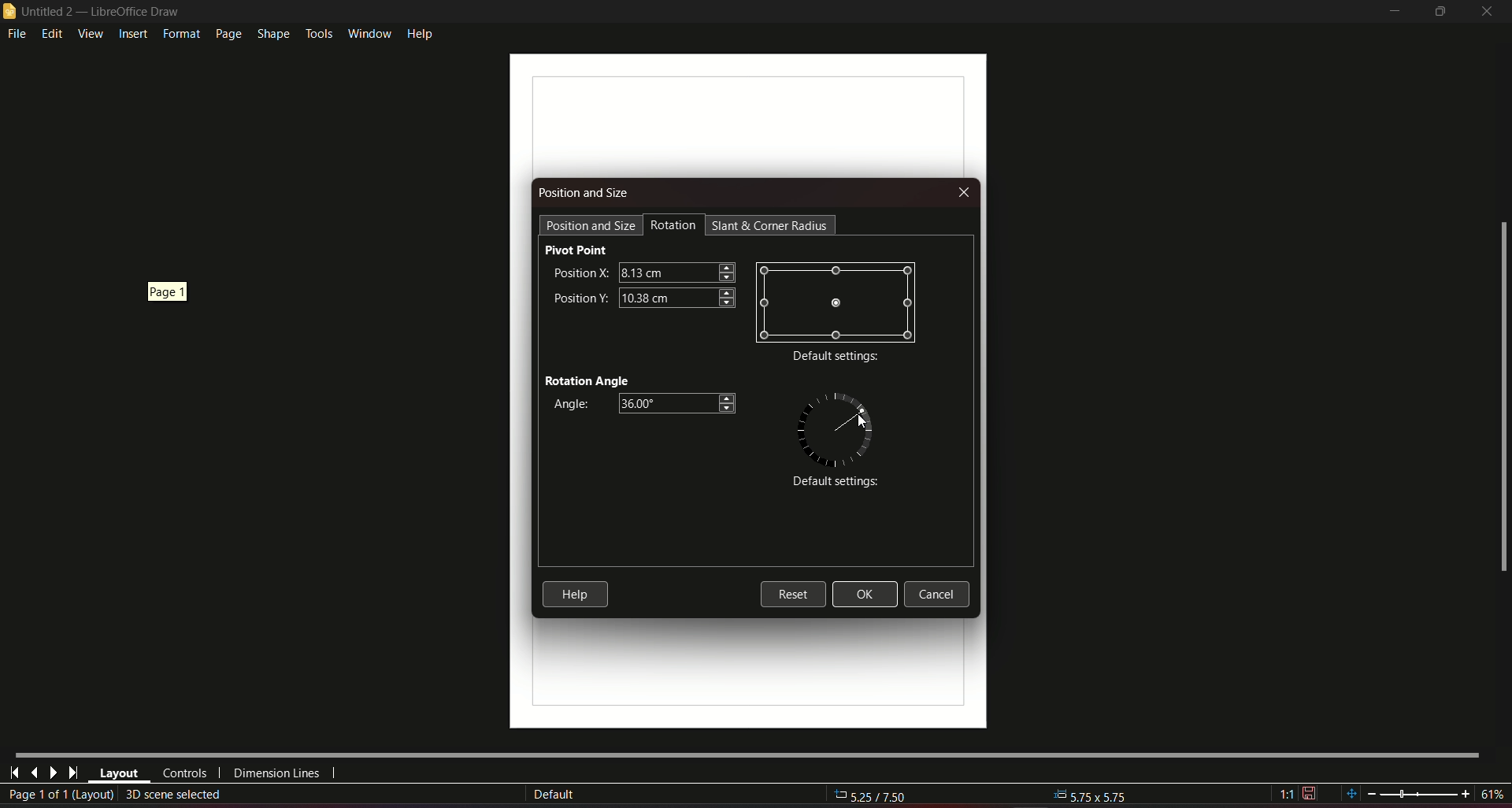 This screenshot has width=1512, height=808. What do you see at coordinates (772, 225) in the screenshot?
I see `Start and corner radius` at bounding box center [772, 225].